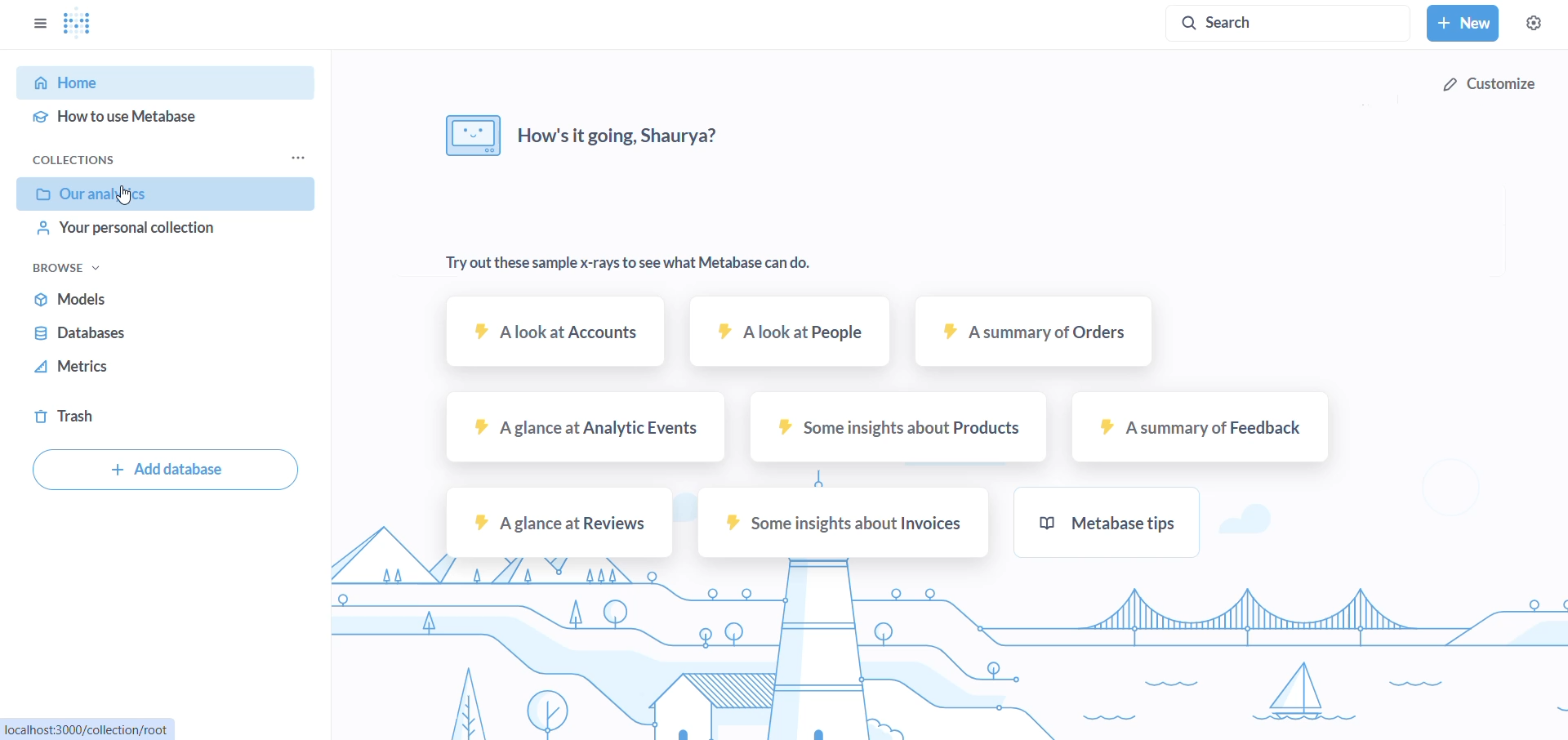 The image size is (1568, 740). What do you see at coordinates (77, 23) in the screenshot?
I see `metabase logo` at bounding box center [77, 23].